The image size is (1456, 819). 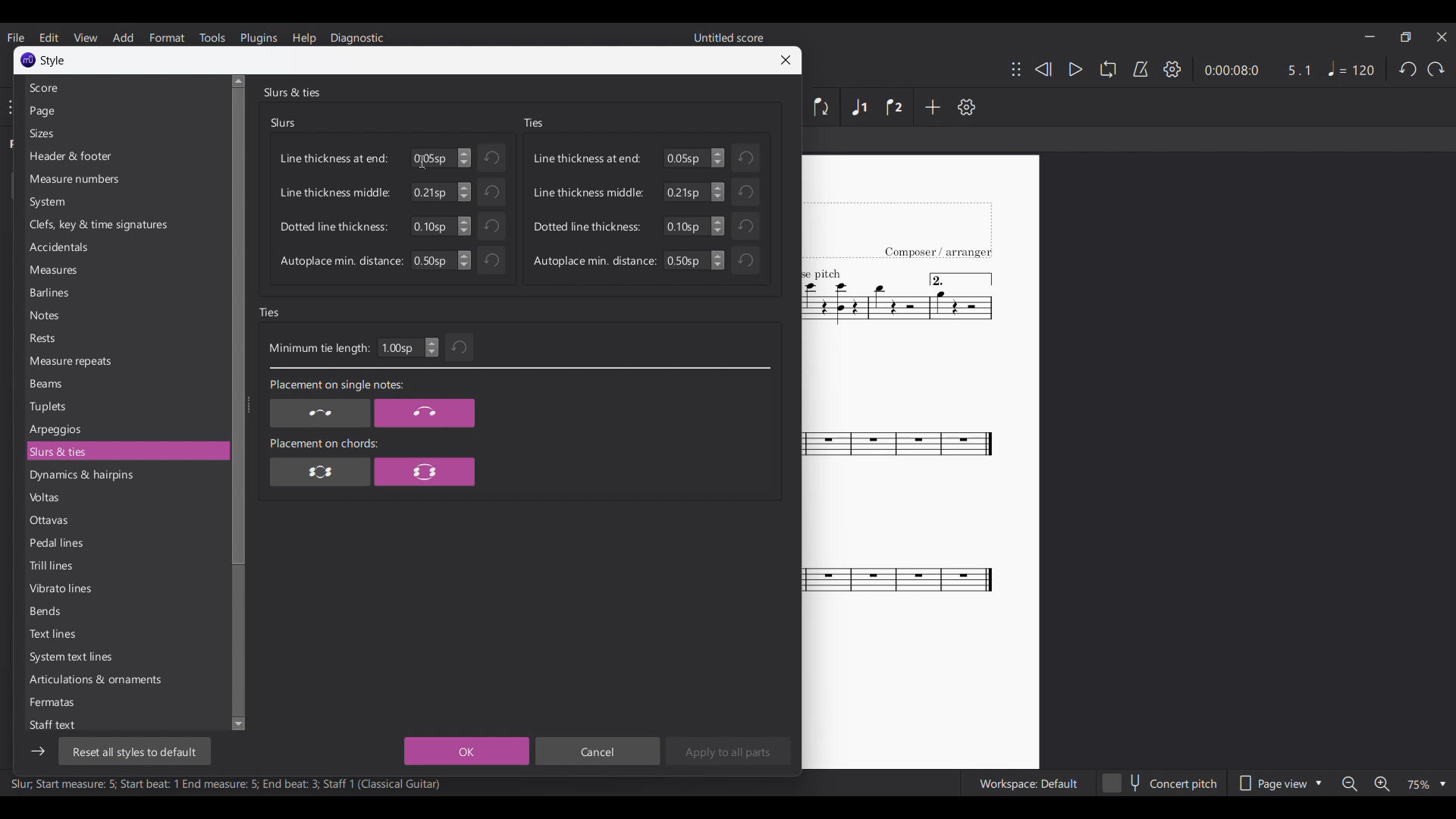 What do you see at coordinates (125, 520) in the screenshot?
I see `Ottavas` at bounding box center [125, 520].